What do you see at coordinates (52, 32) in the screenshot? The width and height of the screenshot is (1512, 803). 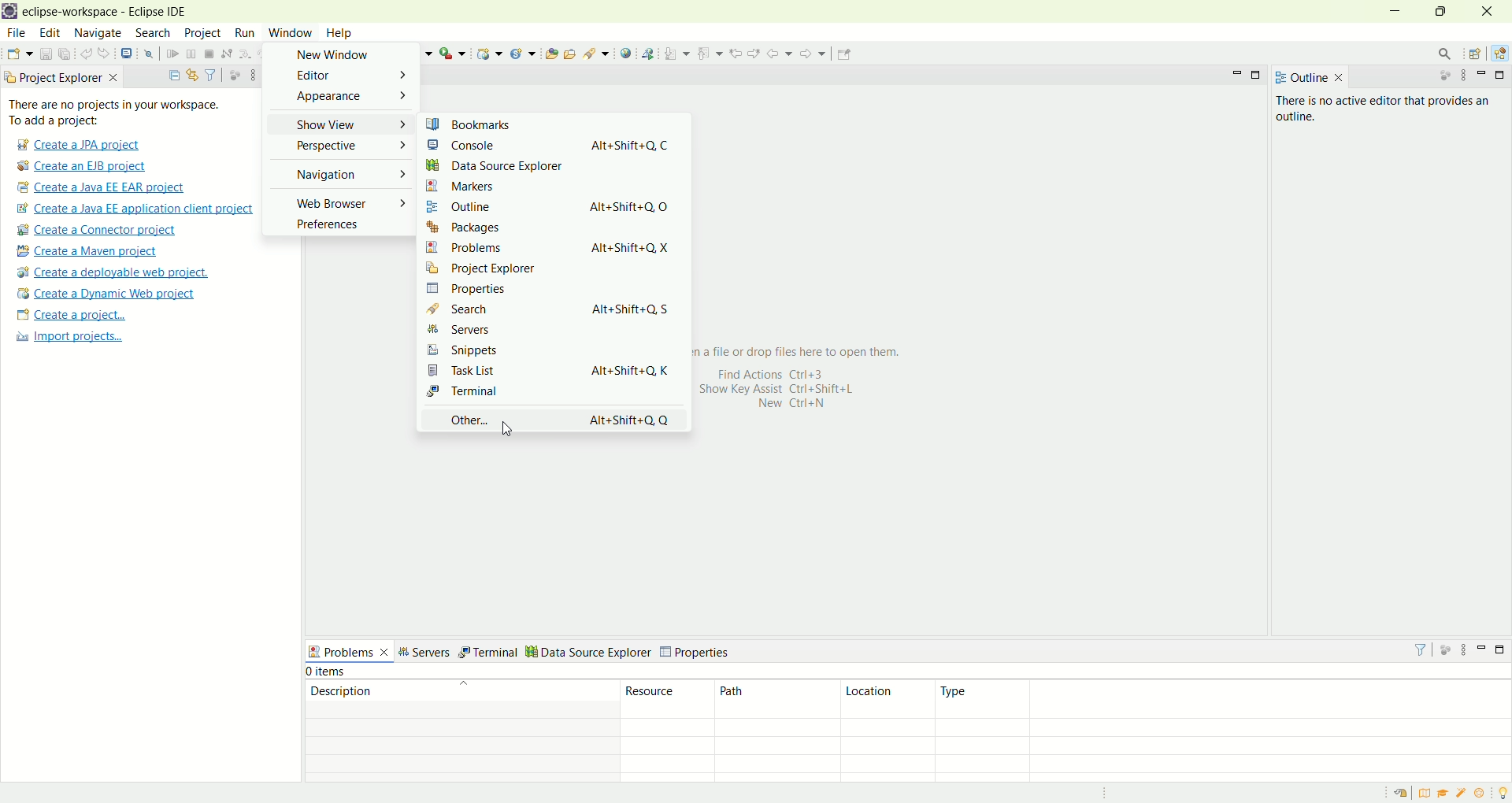 I see `edit` at bounding box center [52, 32].